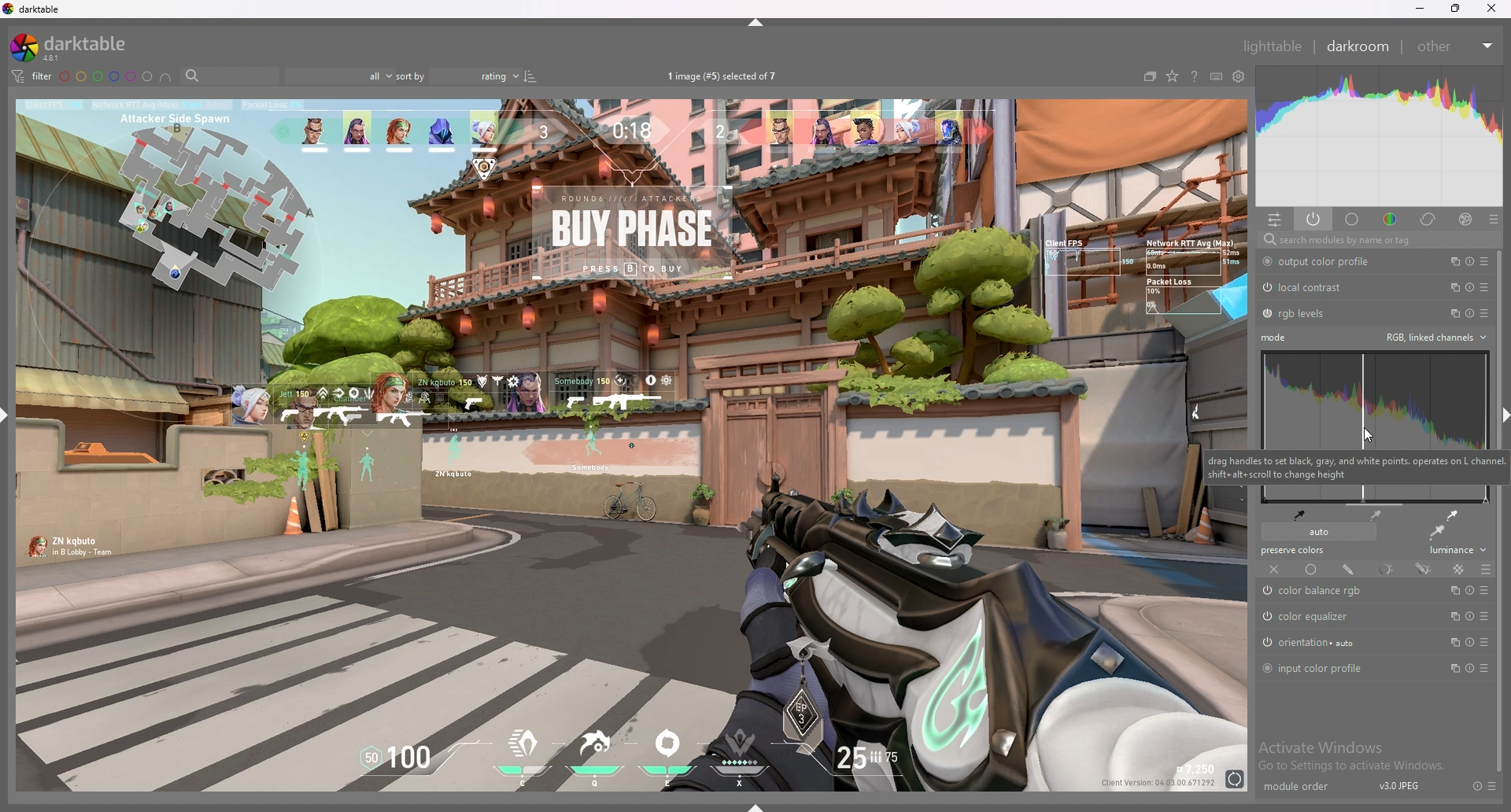 This screenshot has width=1511, height=812. What do you see at coordinates (1365, 436) in the screenshot?
I see `mouse cursor` at bounding box center [1365, 436].